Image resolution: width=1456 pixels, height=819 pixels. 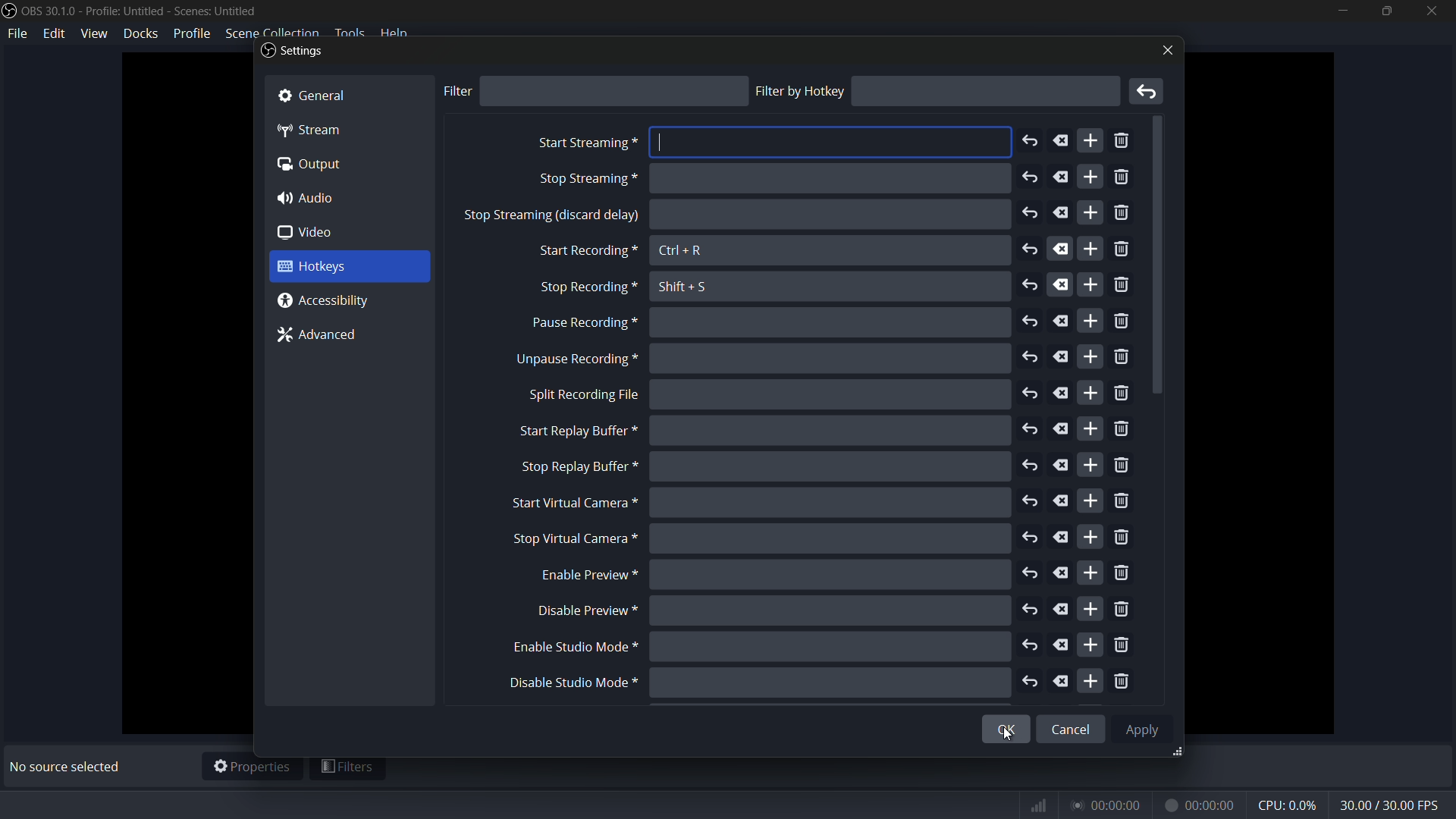 What do you see at coordinates (1432, 11) in the screenshot?
I see `close app` at bounding box center [1432, 11].